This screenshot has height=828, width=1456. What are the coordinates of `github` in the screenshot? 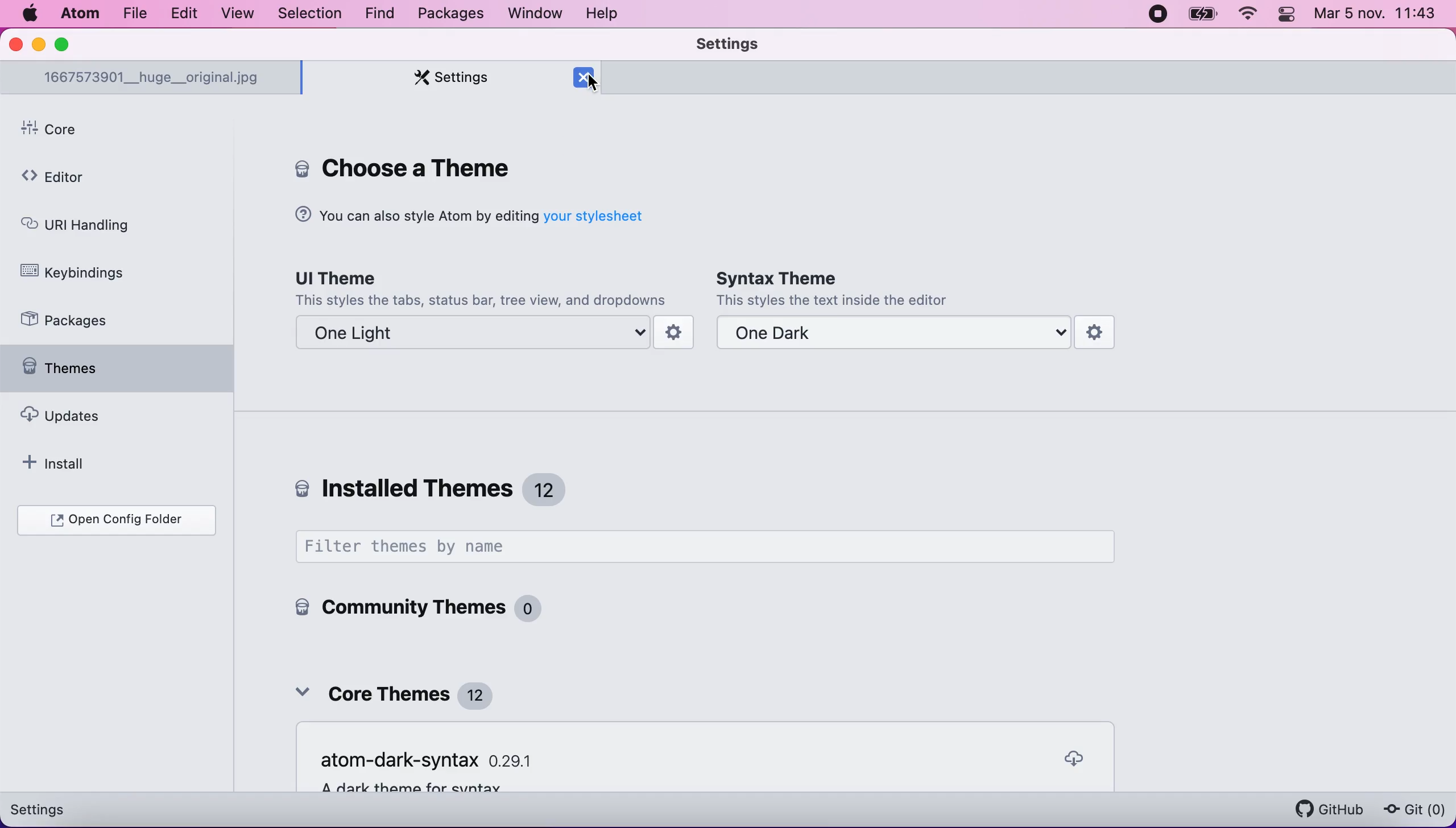 It's located at (1324, 804).